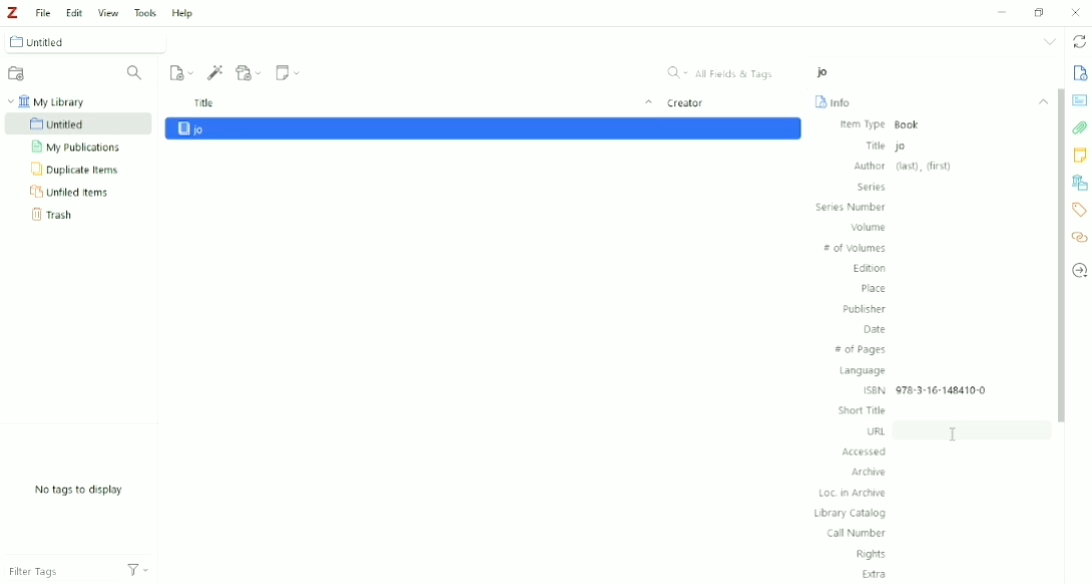  What do you see at coordinates (853, 494) in the screenshot?
I see `Loc. in Archive` at bounding box center [853, 494].